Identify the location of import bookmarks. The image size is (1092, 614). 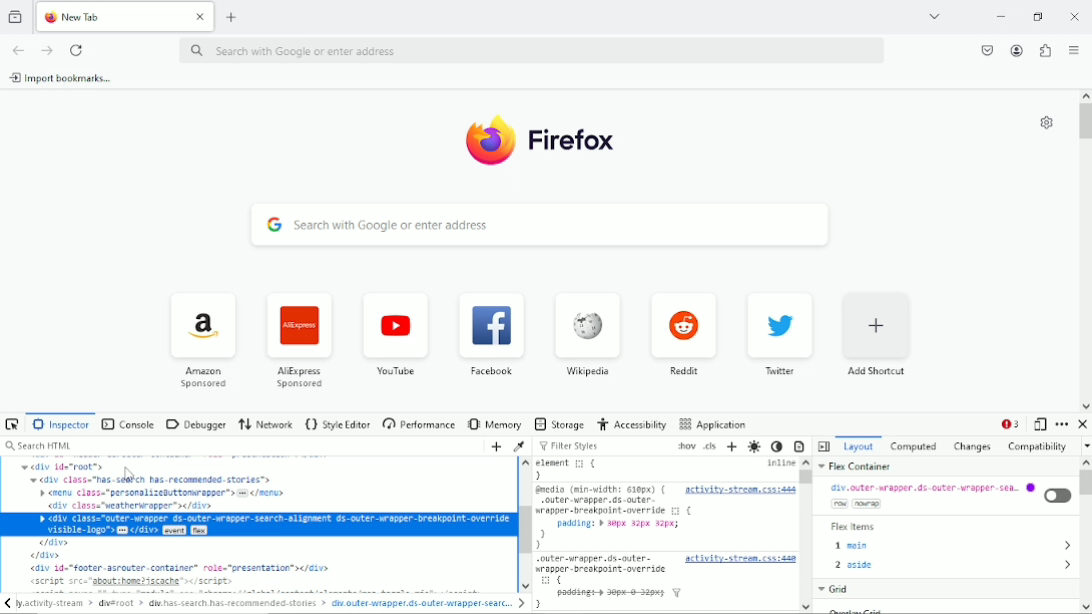
(67, 78).